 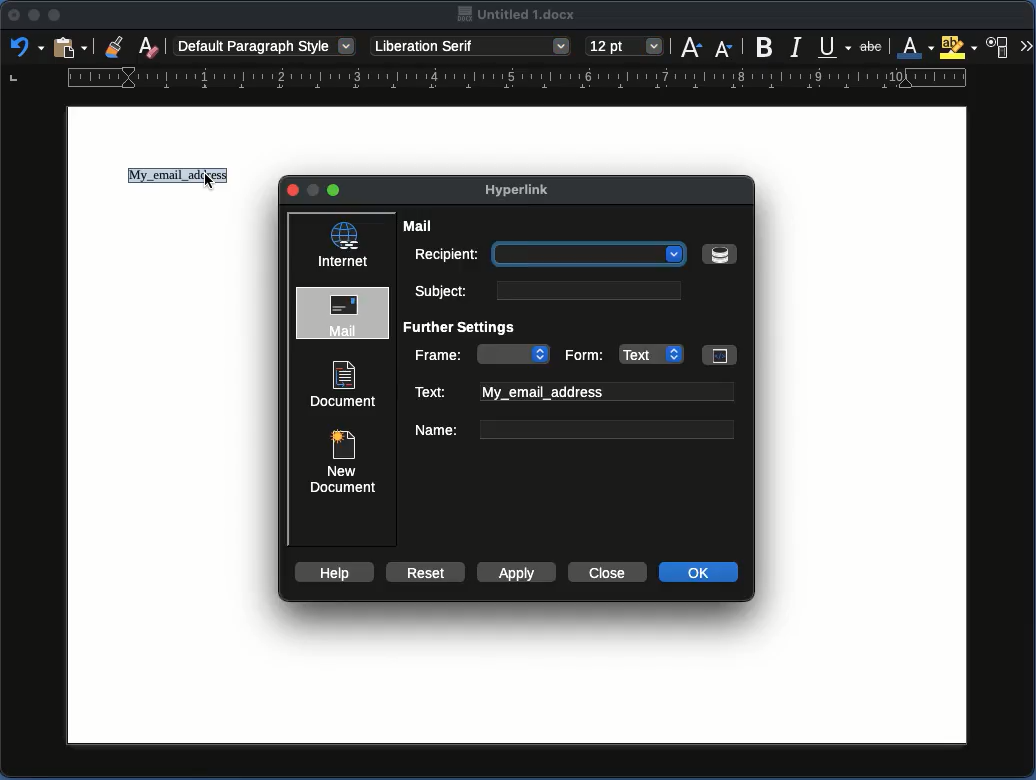 What do you see at coordinates (549, 256) in the screenshot?
I see `Recipient` at bounding box center [549, 256].